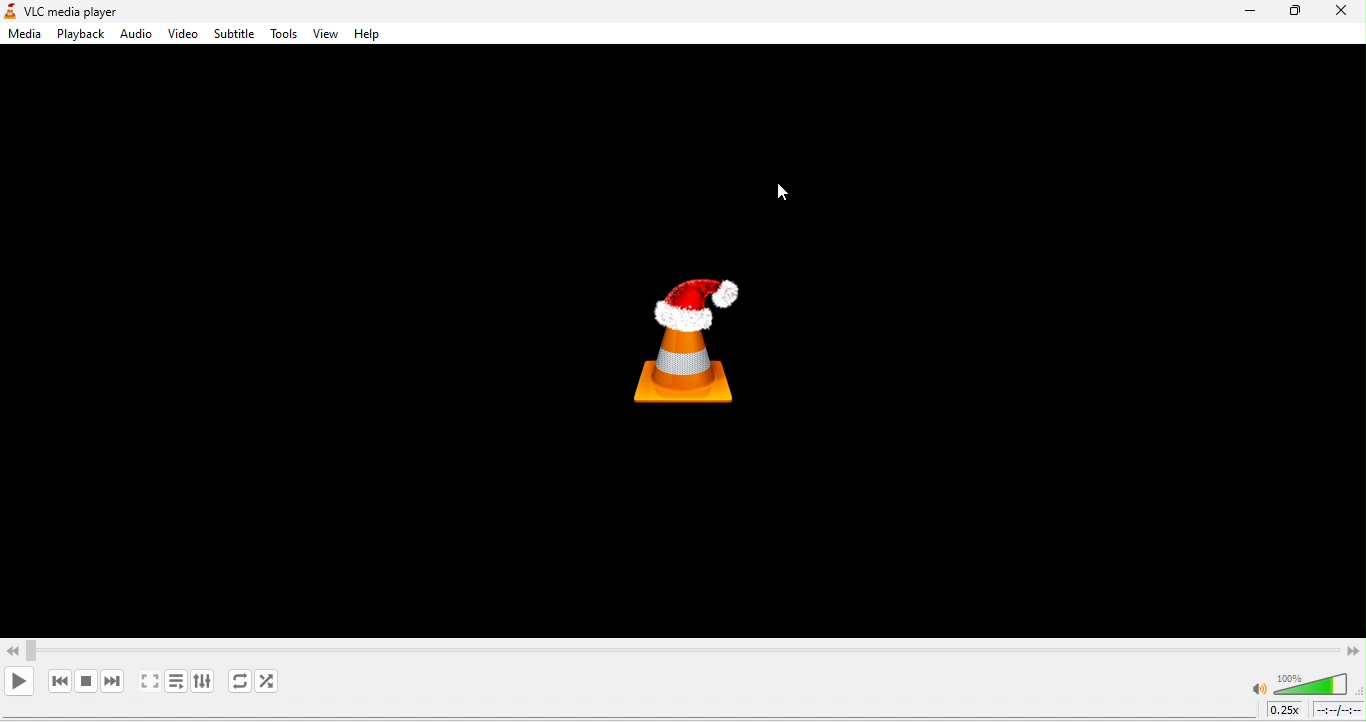 The height and width of the screenshot is (722, 1366). What do you see at coordinates (53, 684) in the screenshot?
I see `previous media` at bounding box center [53, 684].